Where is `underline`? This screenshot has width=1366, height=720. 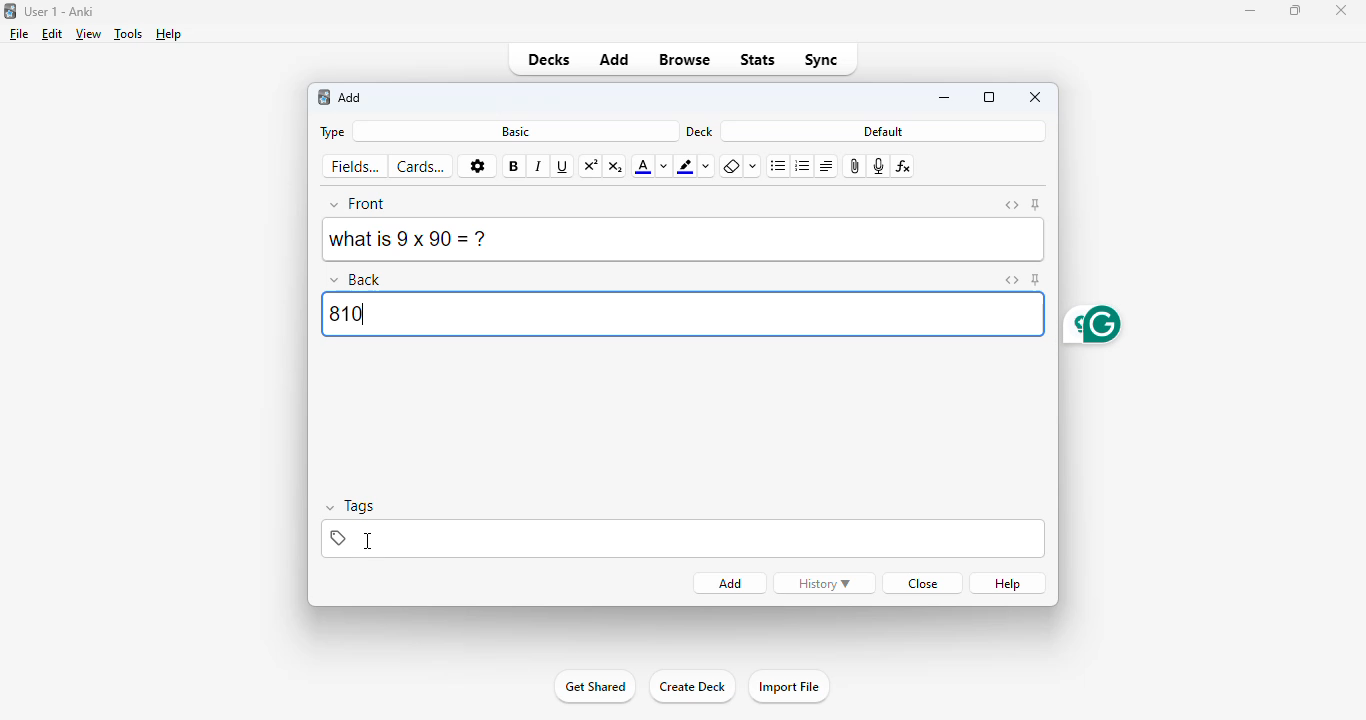
underline is located at coordinates (563, 167).